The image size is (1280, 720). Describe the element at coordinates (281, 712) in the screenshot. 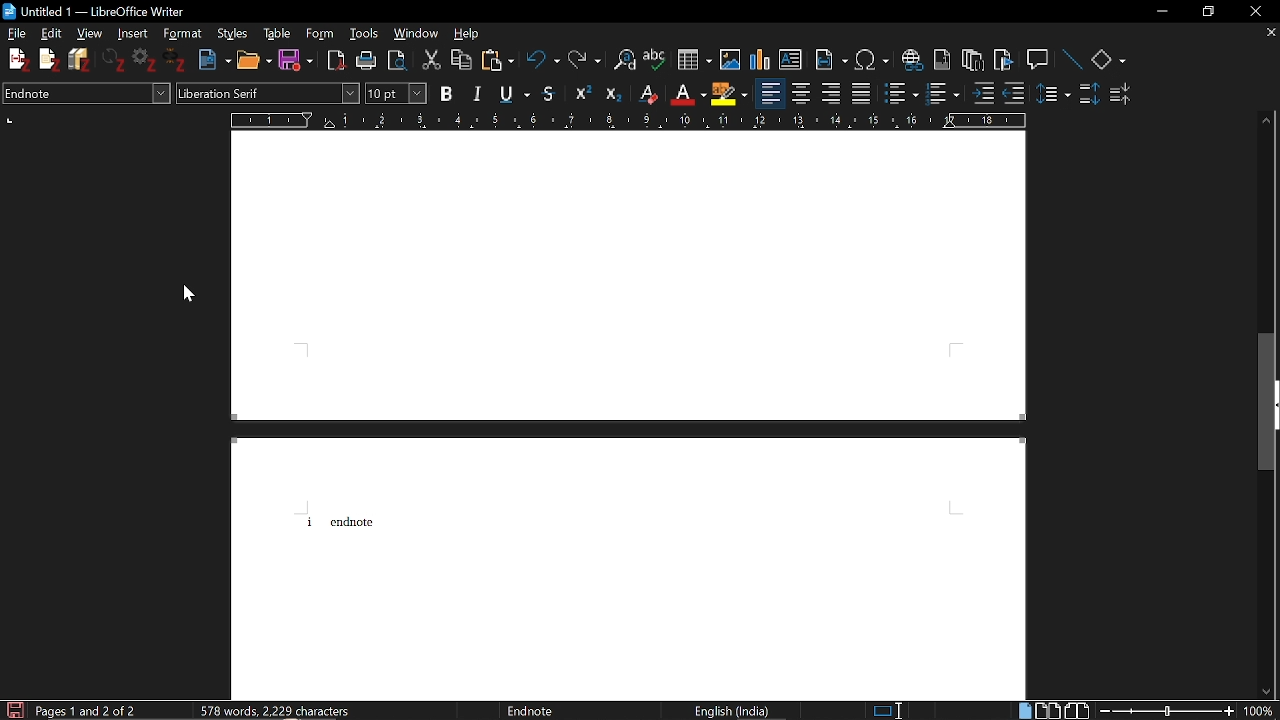

I see `577 Word, 2,222 characters` at that location.